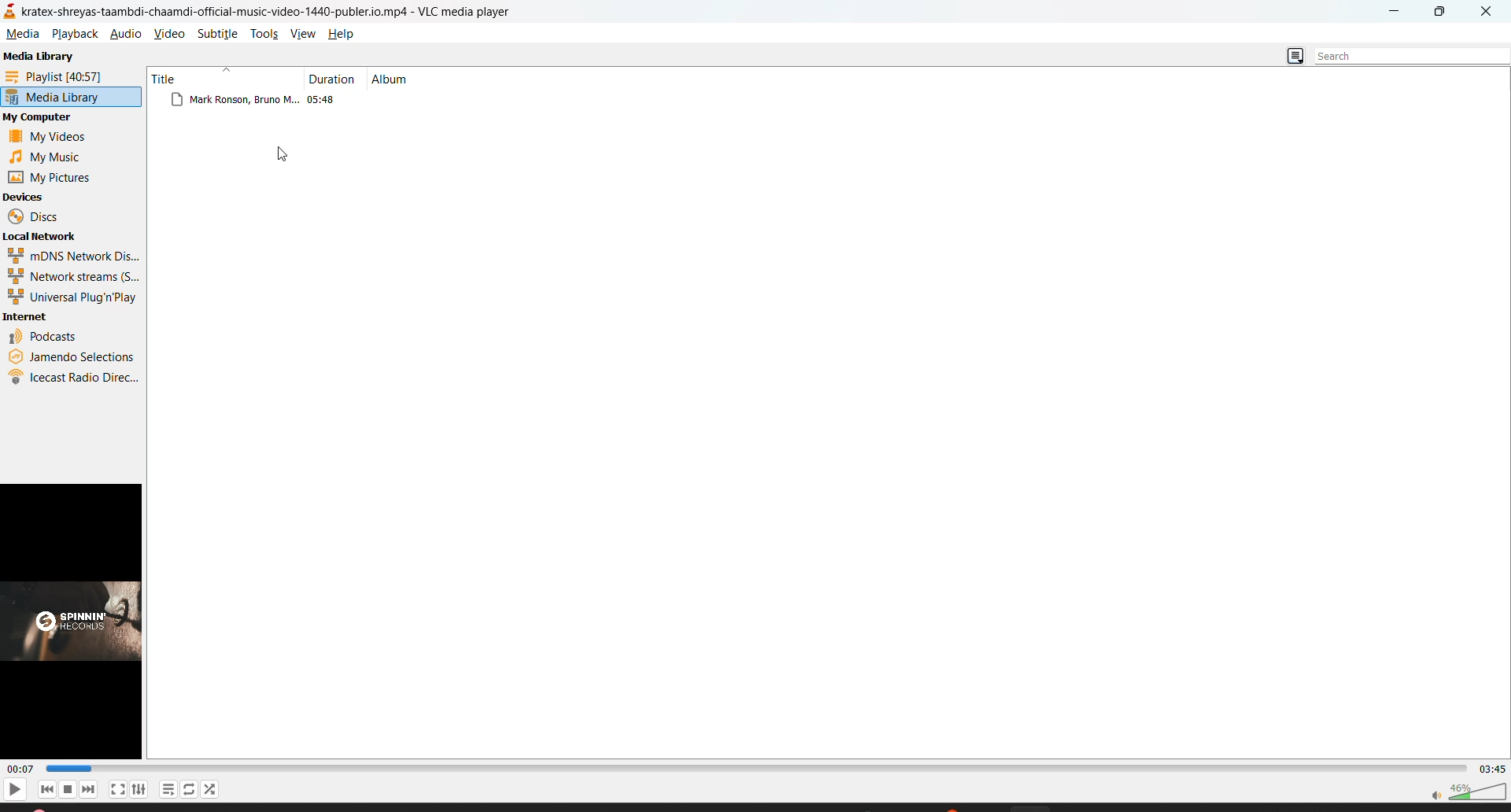 The height and width of the screenshot is (812, 1511). Describe the element at coordinates (54, 176) in the screenshot. I see `pictures` at that location.